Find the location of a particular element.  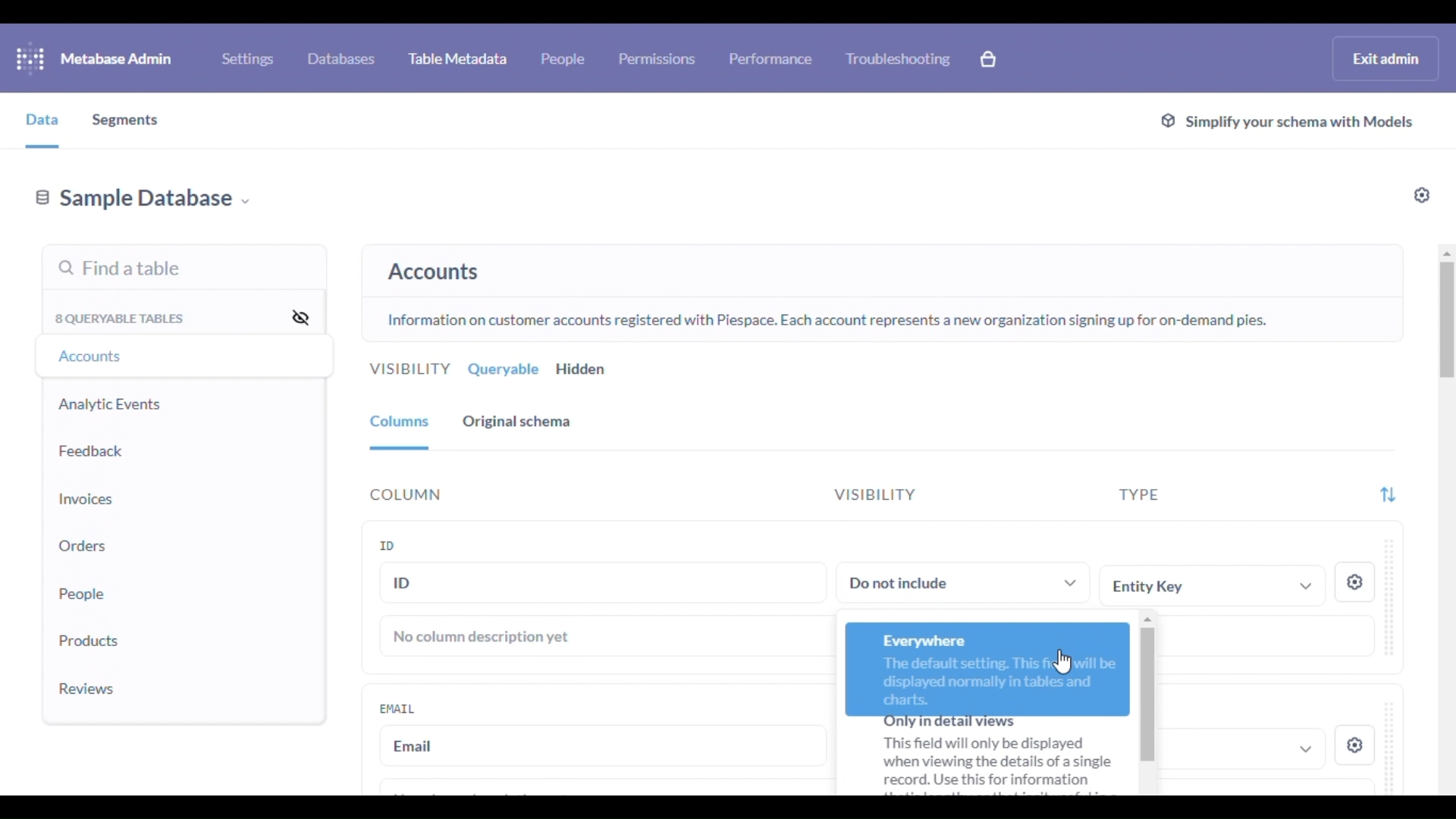

settings is located at coordinates (247, 59).